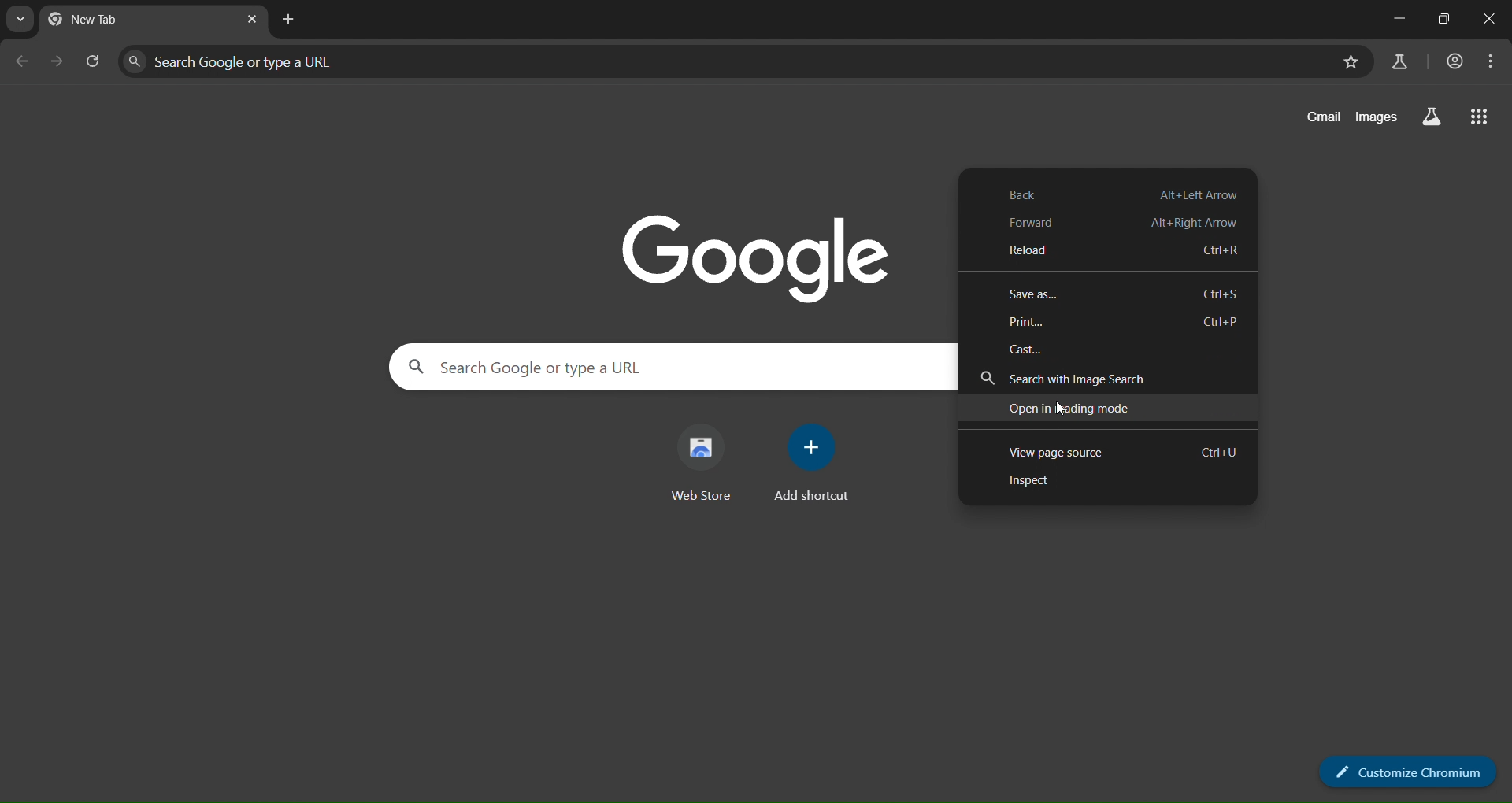 This screenshot has width=1512, height=803. What do you see at coordinates (1492, 17) in the screenshot?
I see `close` at bounding box center [1492, 17].